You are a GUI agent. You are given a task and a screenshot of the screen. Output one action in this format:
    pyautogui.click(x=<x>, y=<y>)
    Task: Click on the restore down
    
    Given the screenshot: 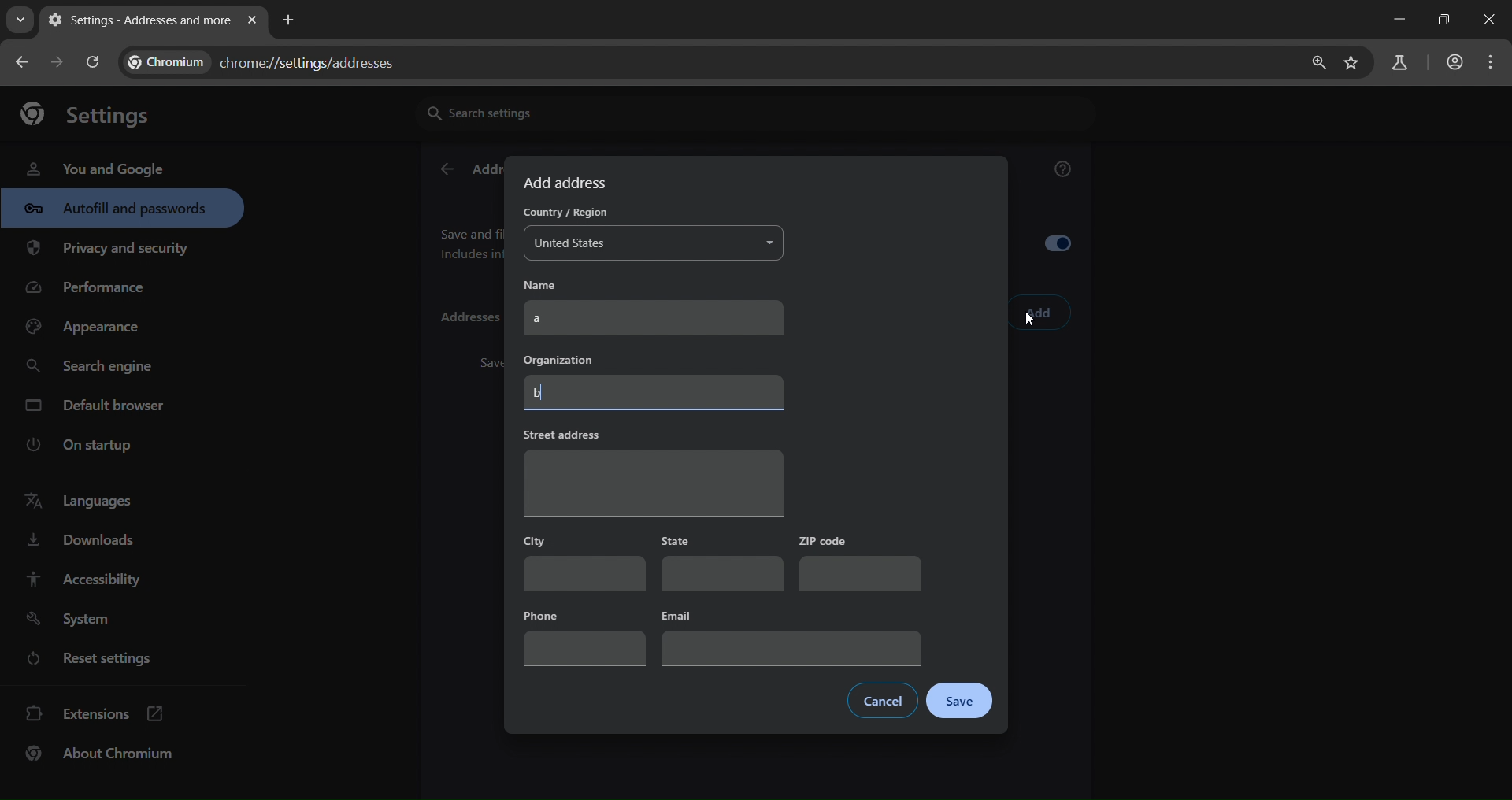 What is the action you would take?
    pyautogui.click(x=1441, y=20)
    